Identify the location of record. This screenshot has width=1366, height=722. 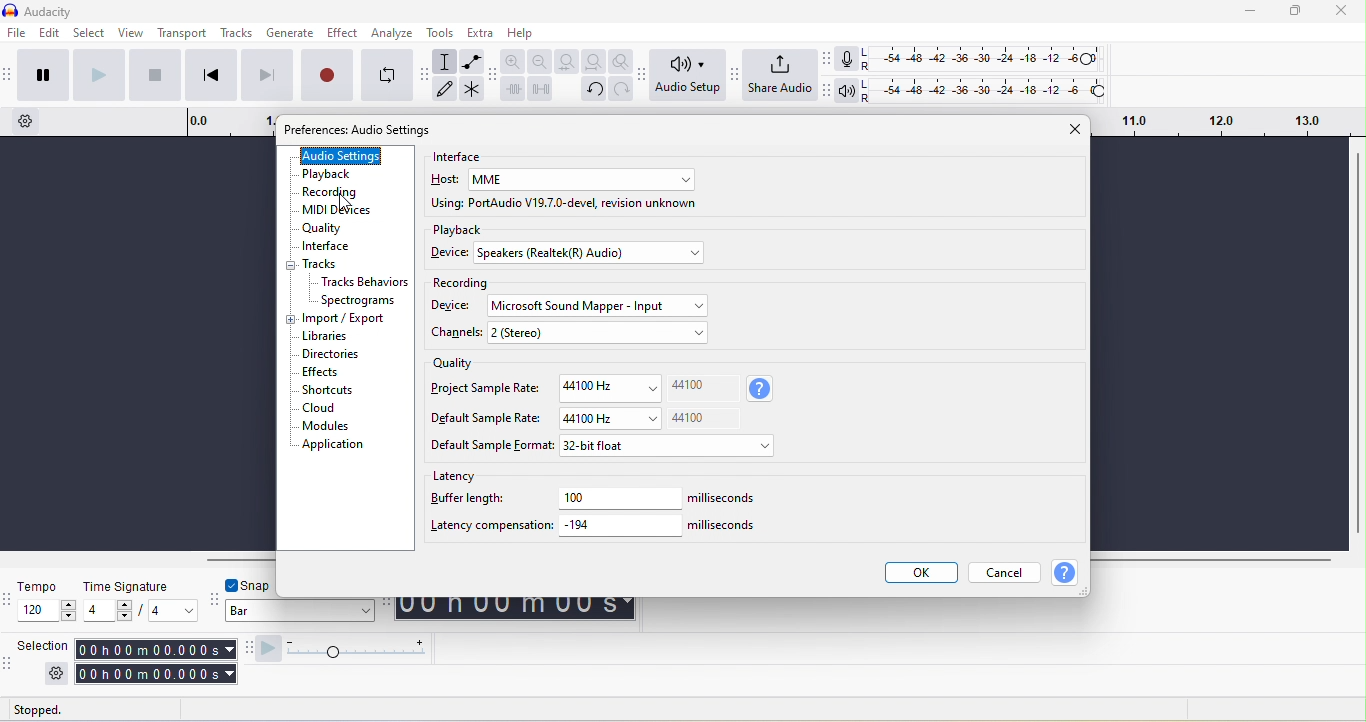
(327, 75).